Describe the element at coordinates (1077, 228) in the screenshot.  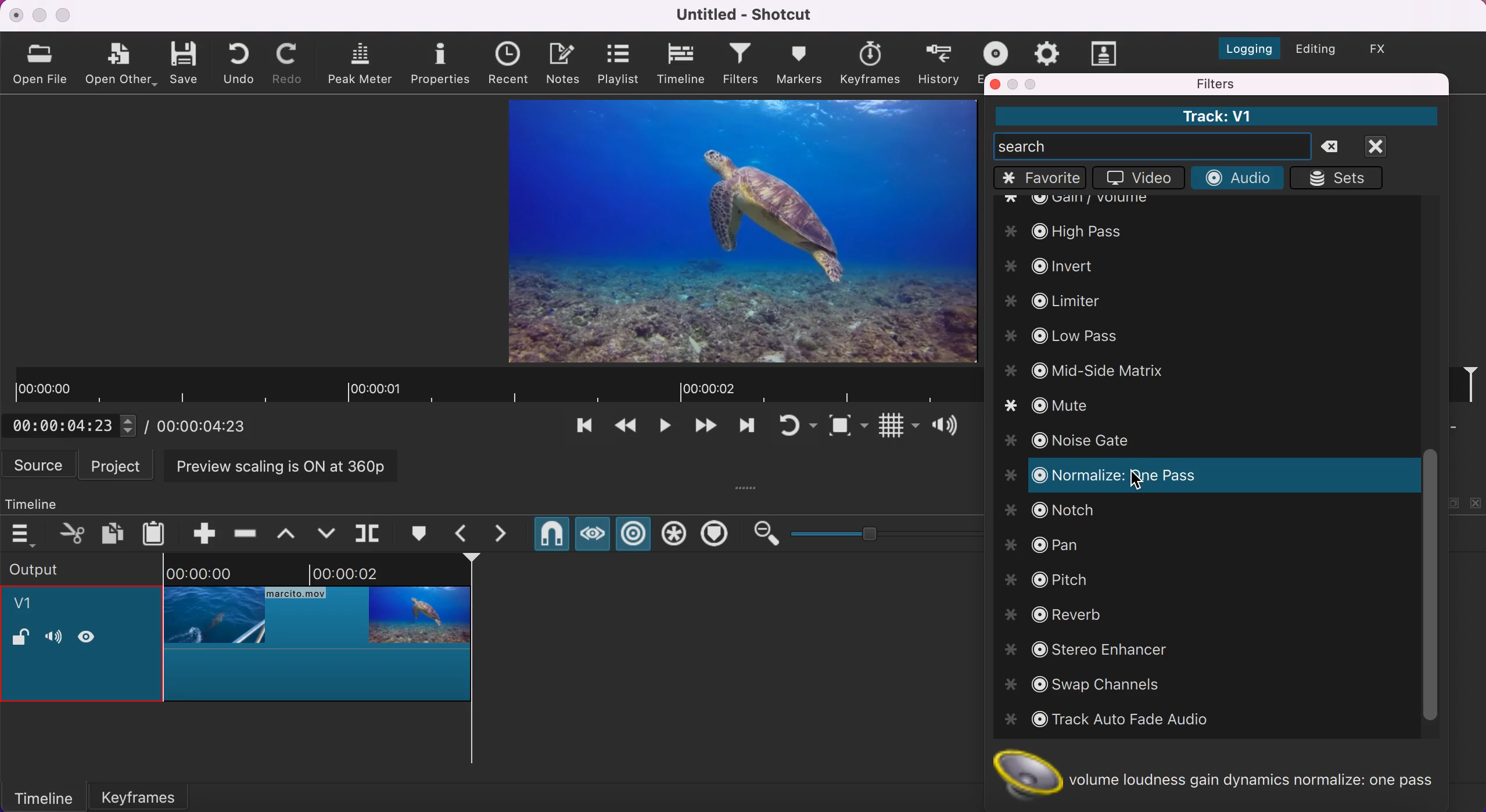
I see `High Pass` at that location.